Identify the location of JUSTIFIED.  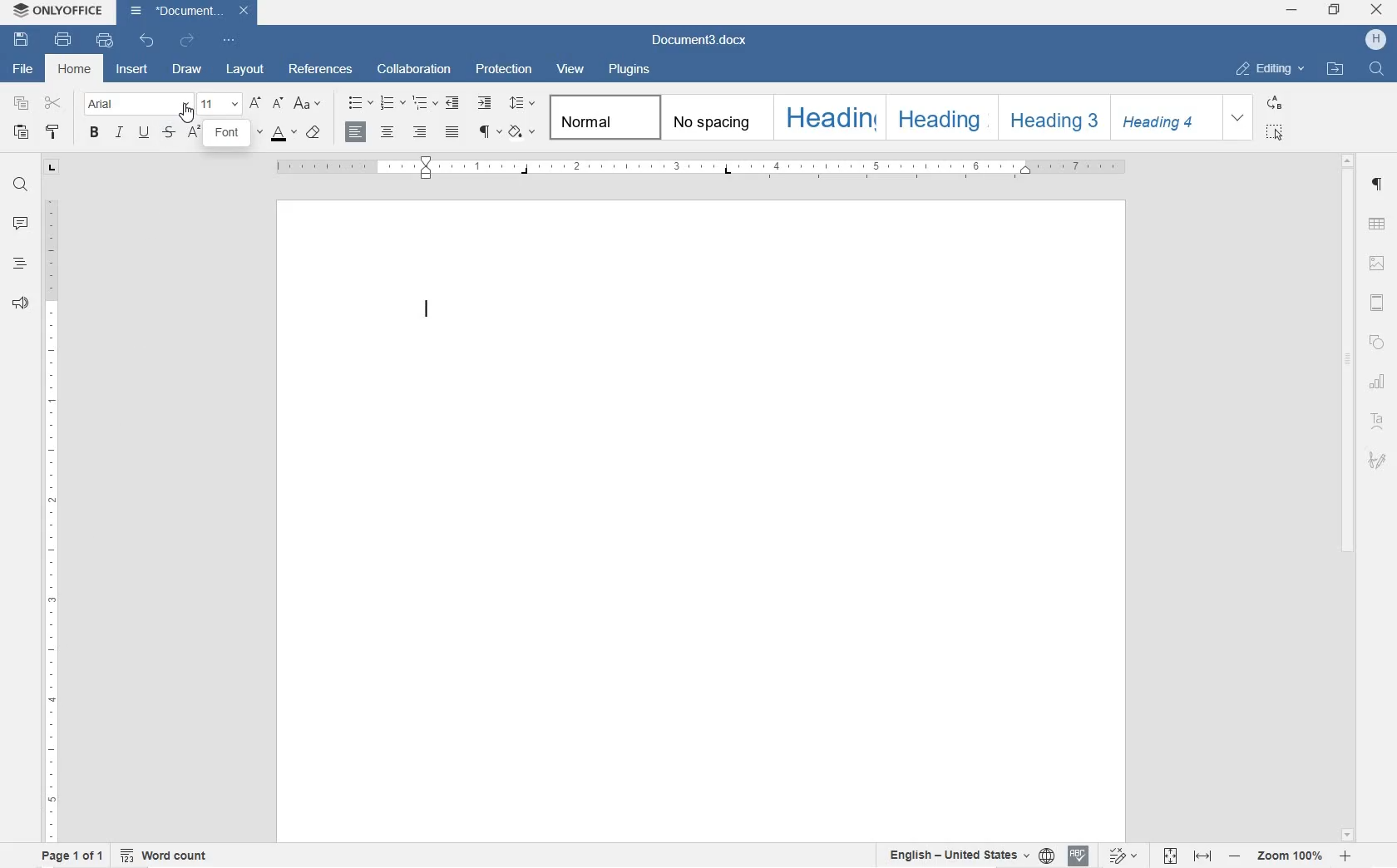
(452, 131).